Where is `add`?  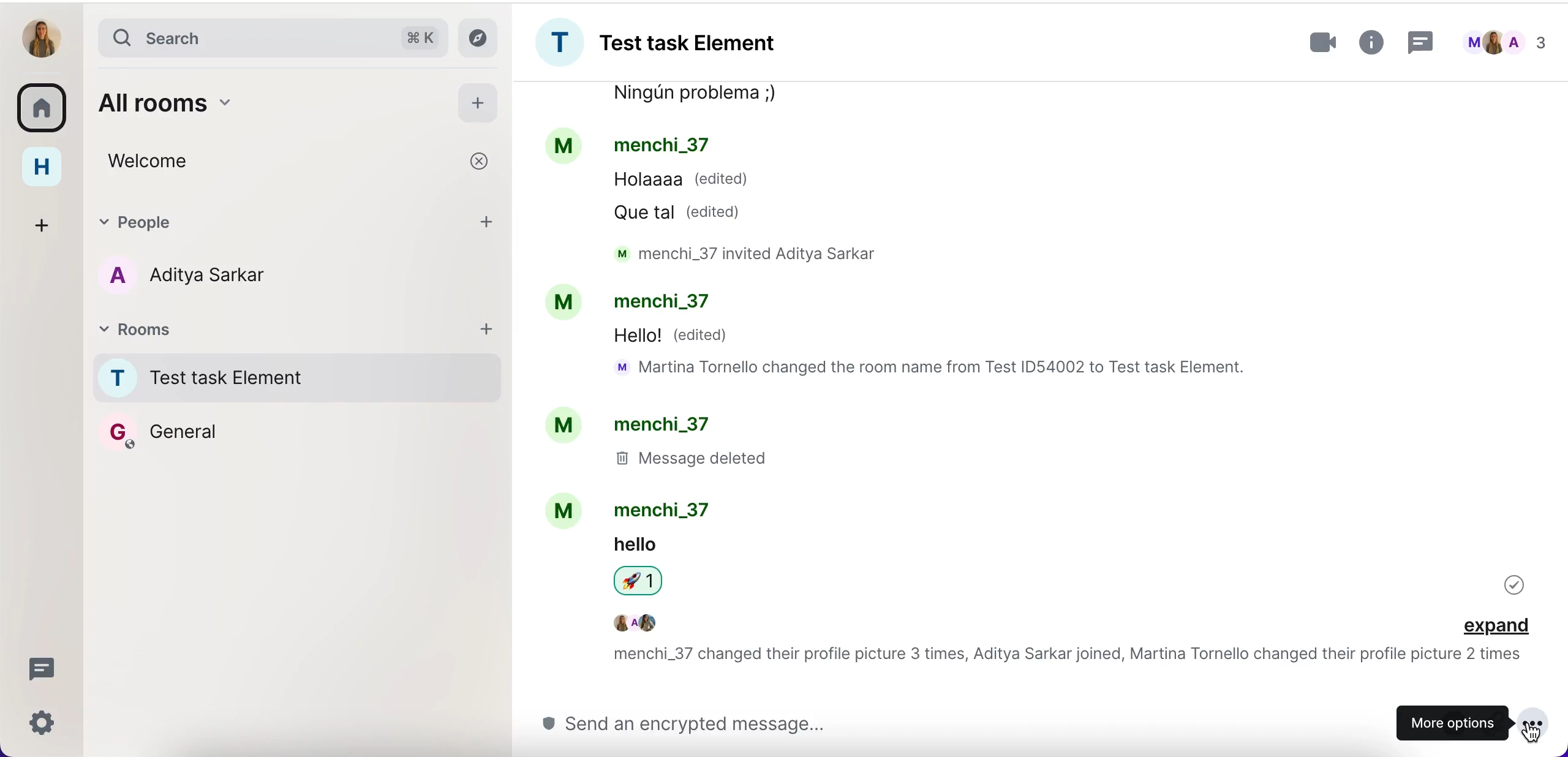
add is located at coordinates (488, 333).